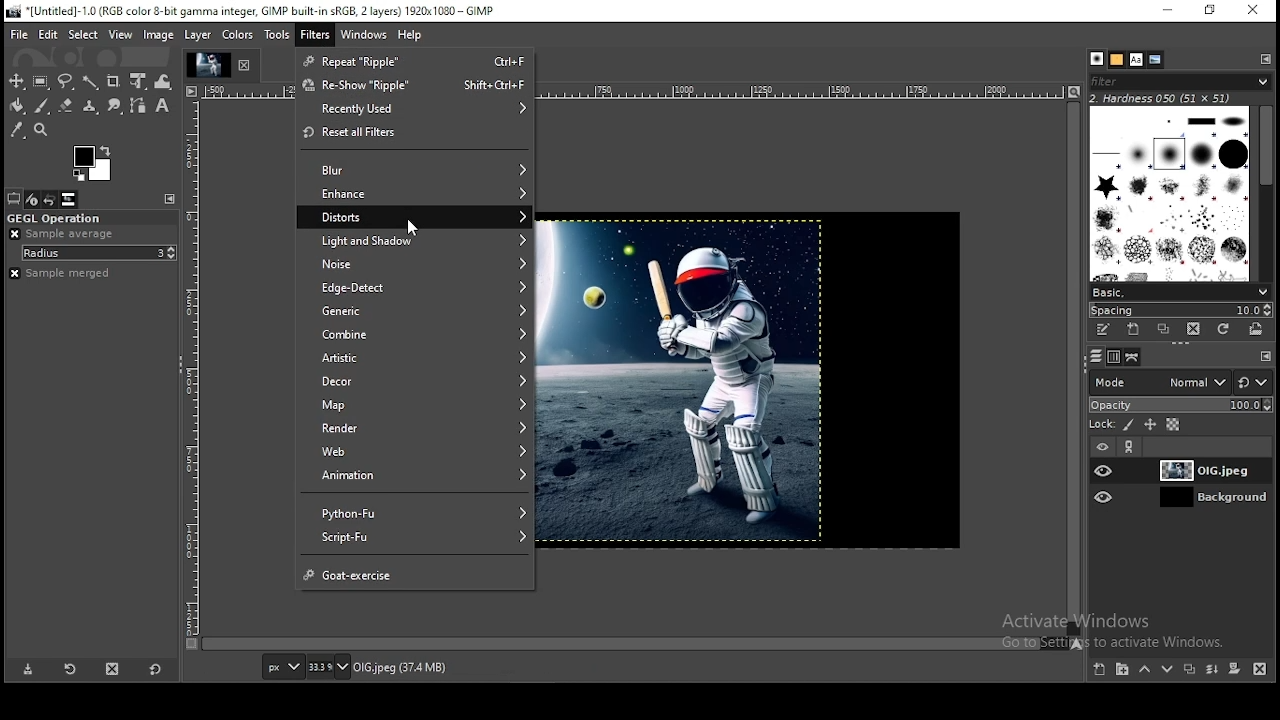 This screenshot has width=1280, height=720. I want to click on light and shadow, so click(424, 240).